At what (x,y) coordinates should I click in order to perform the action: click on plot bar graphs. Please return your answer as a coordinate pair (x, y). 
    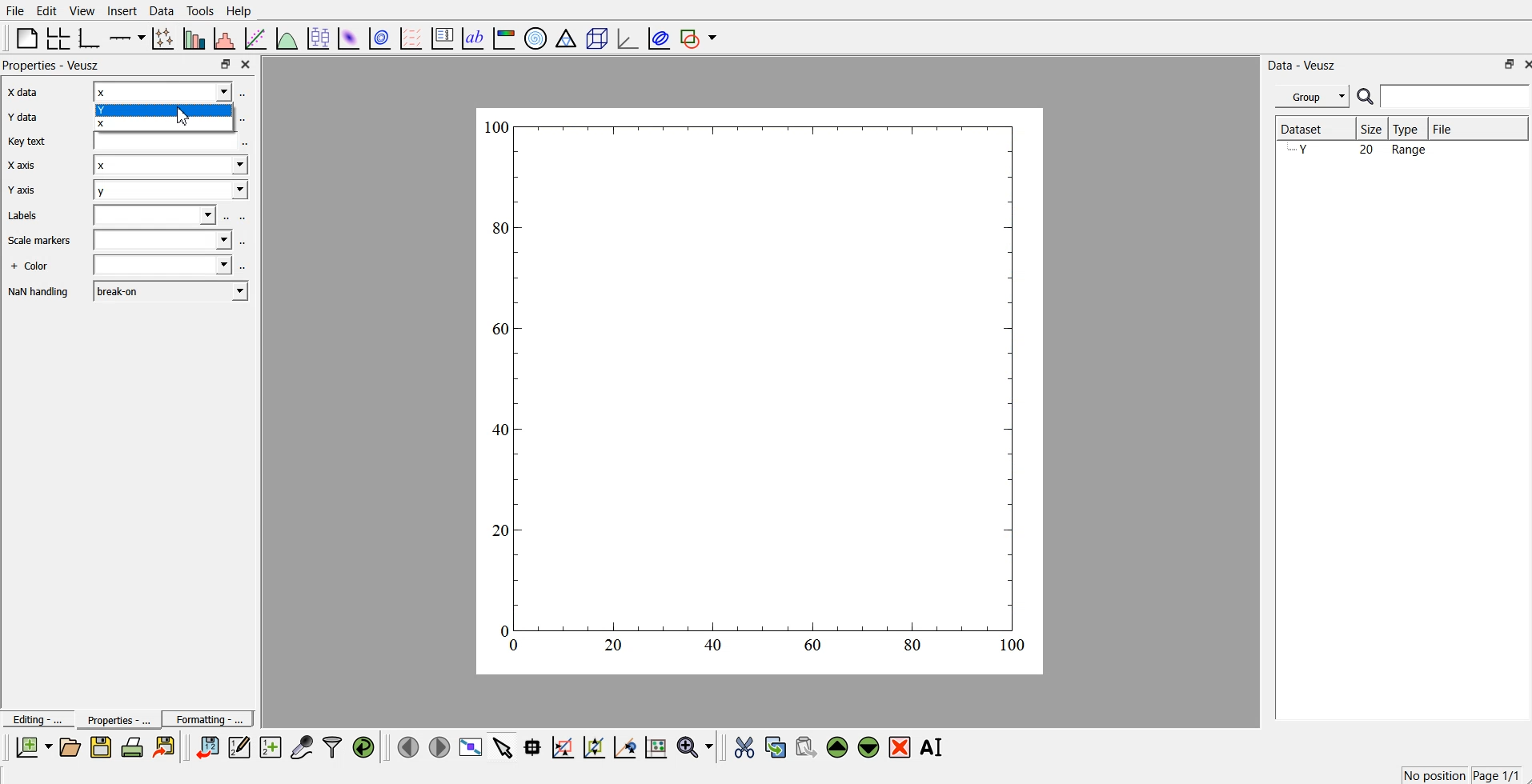
    Looking at the image, I should click on (195, 38).